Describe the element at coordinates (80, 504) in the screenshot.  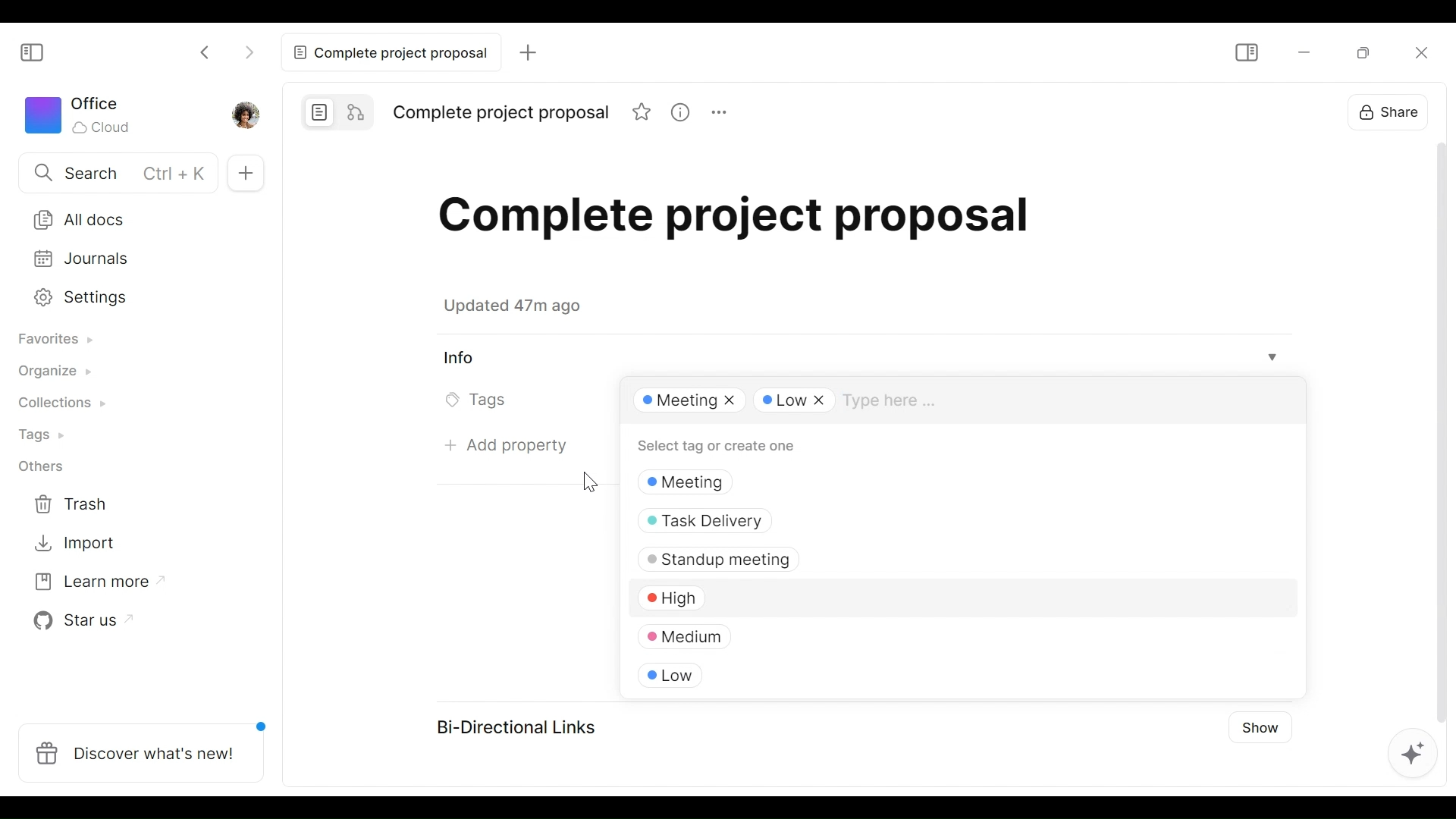
I see `Trash` at that location.